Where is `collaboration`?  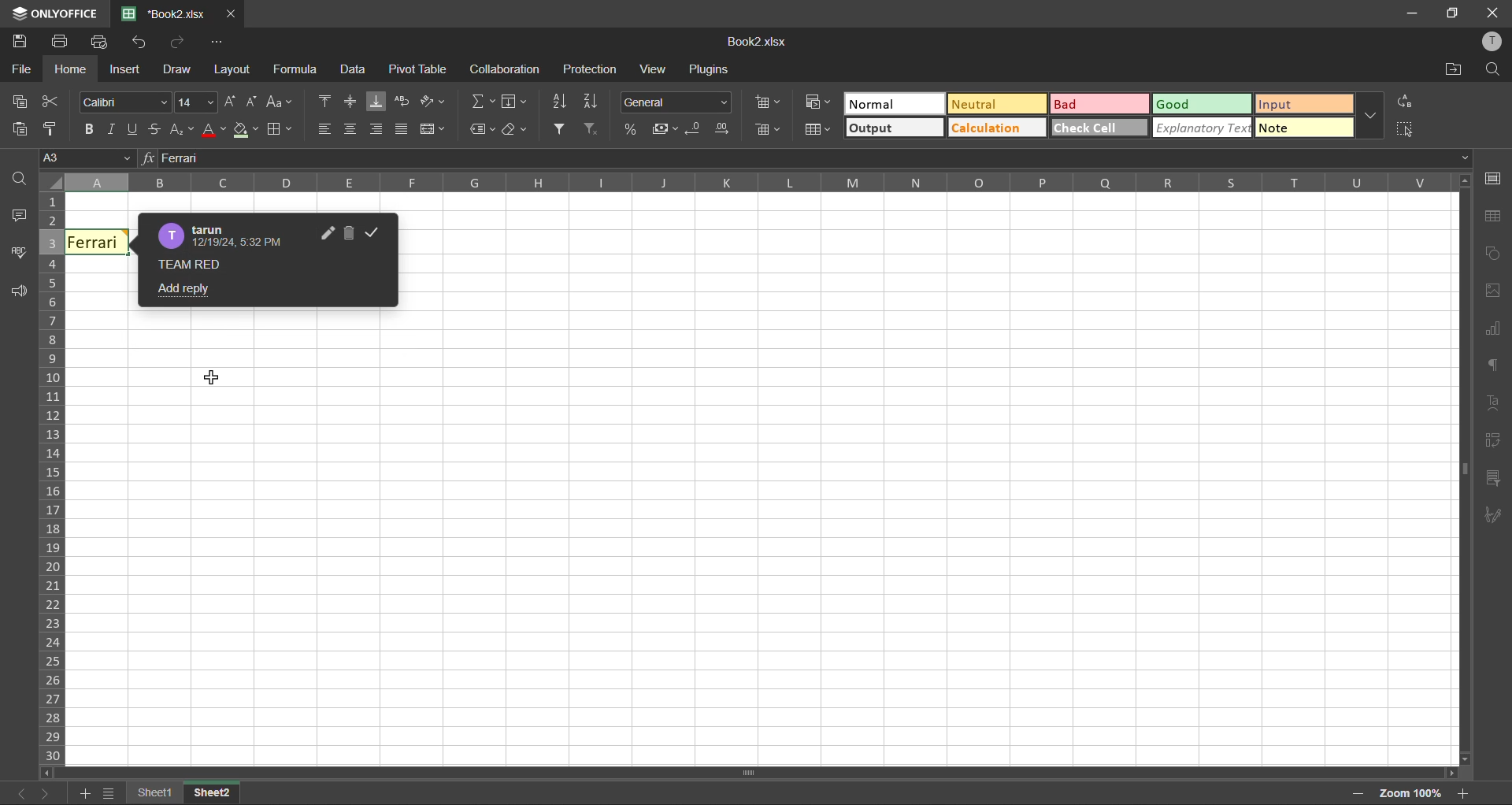 collaboration is located at coordinates (504, 69).